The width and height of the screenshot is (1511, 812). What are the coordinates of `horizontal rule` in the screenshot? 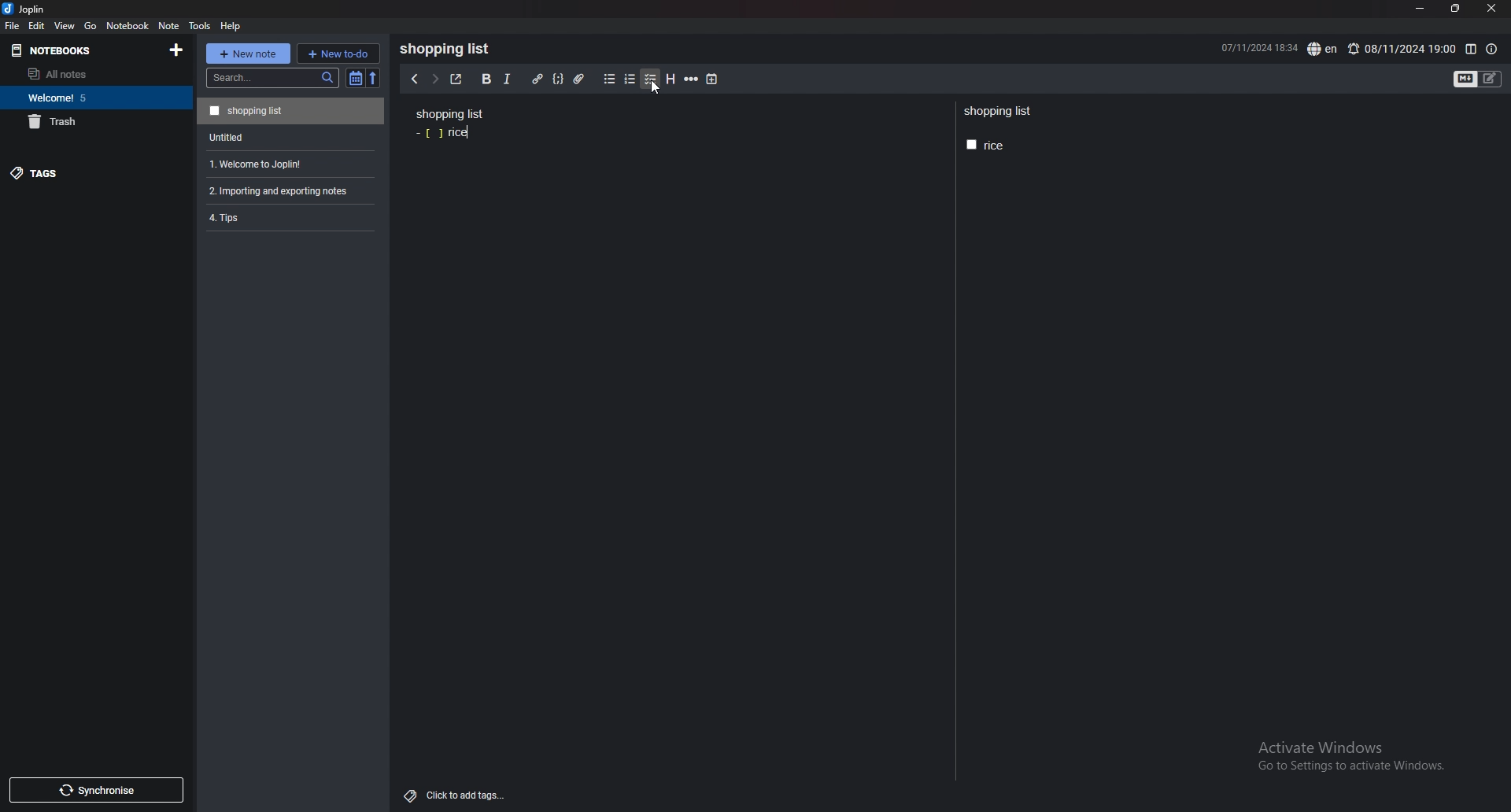 It's located at (691, 79).